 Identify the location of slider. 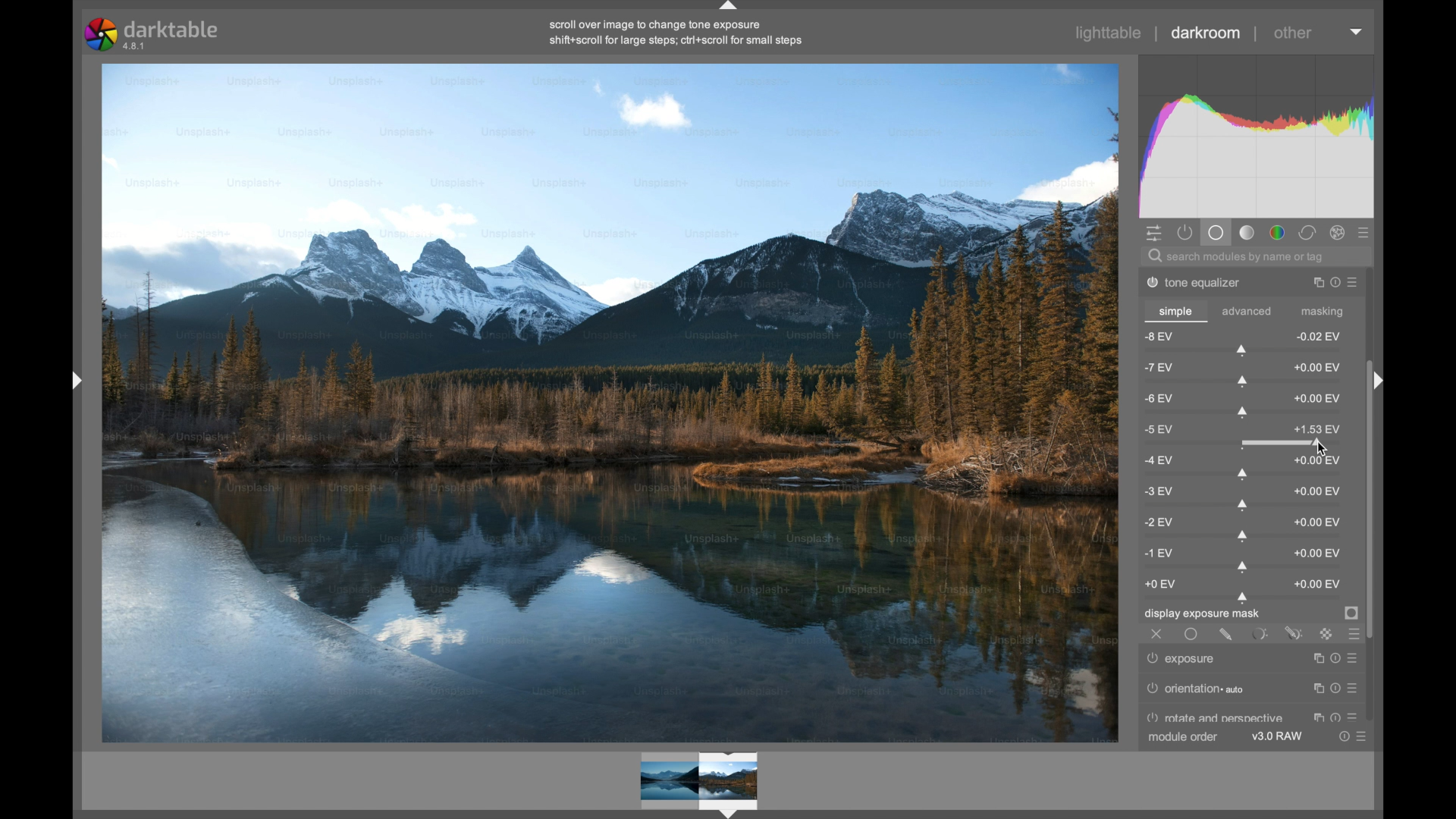
(1241, 473).